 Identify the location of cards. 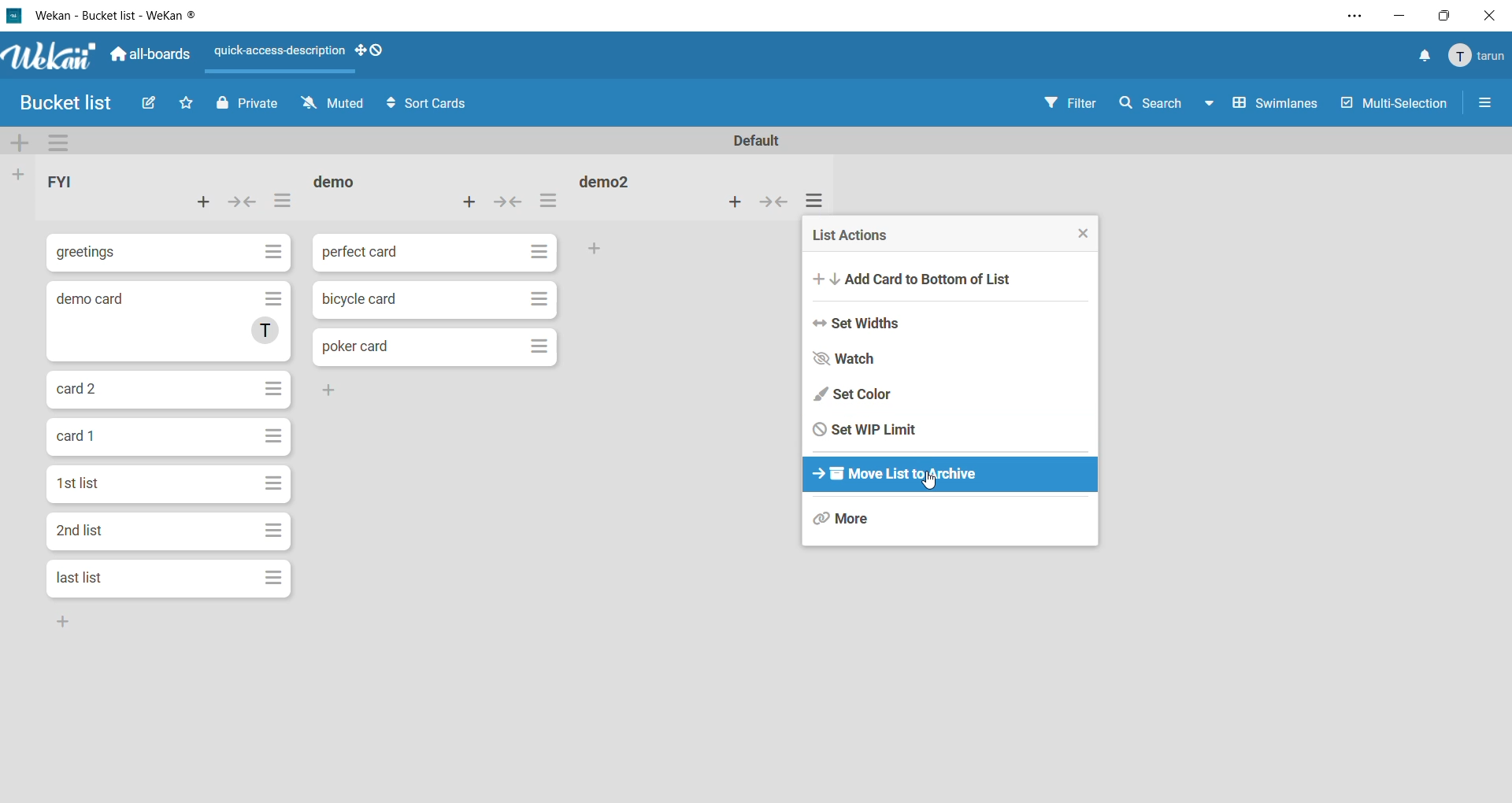
(168, 483).